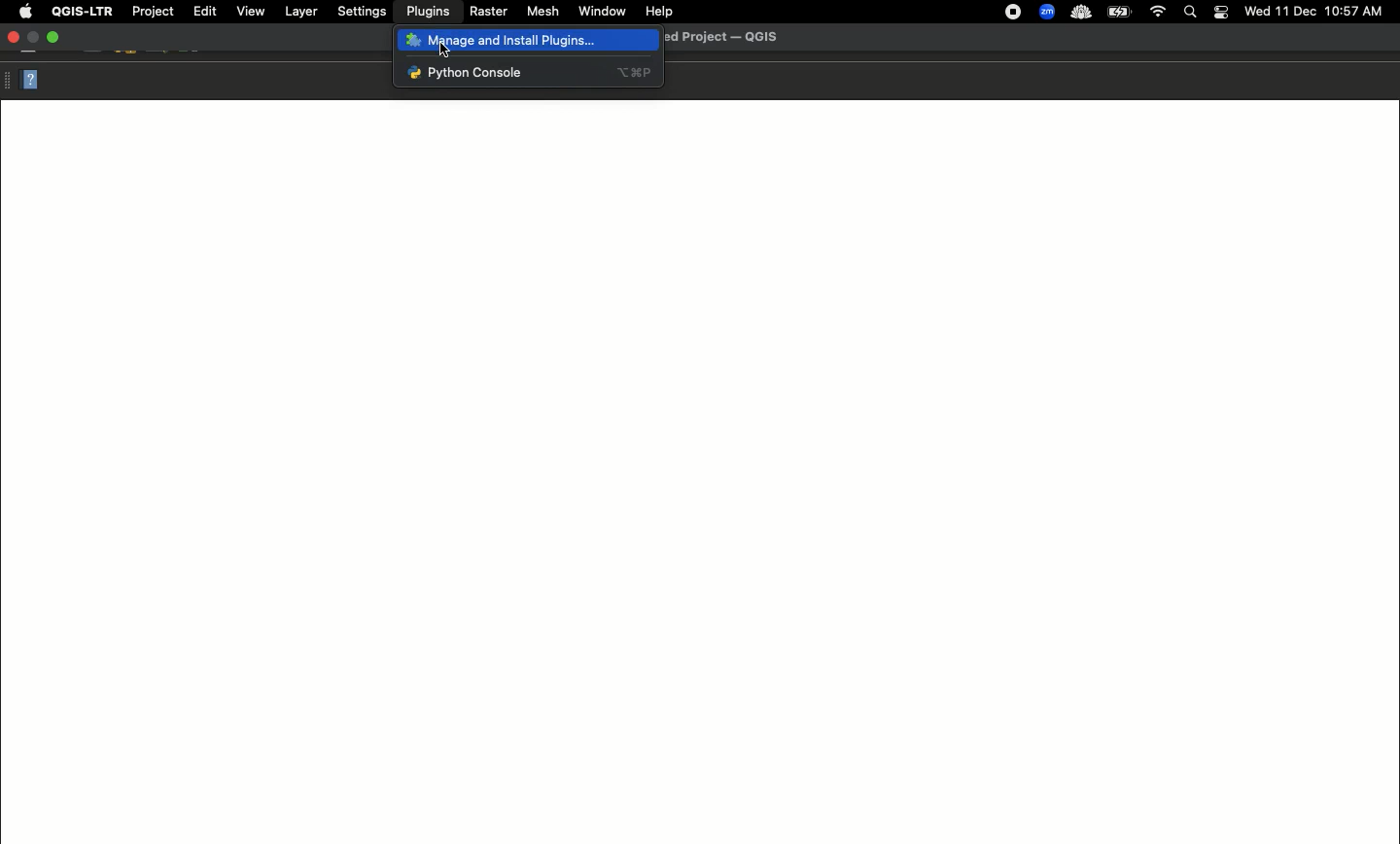 The image size is (1400, 844). Describe the element at coordinates (527, 44) in the screenshot. I see `Manage and install plugins` at that location.